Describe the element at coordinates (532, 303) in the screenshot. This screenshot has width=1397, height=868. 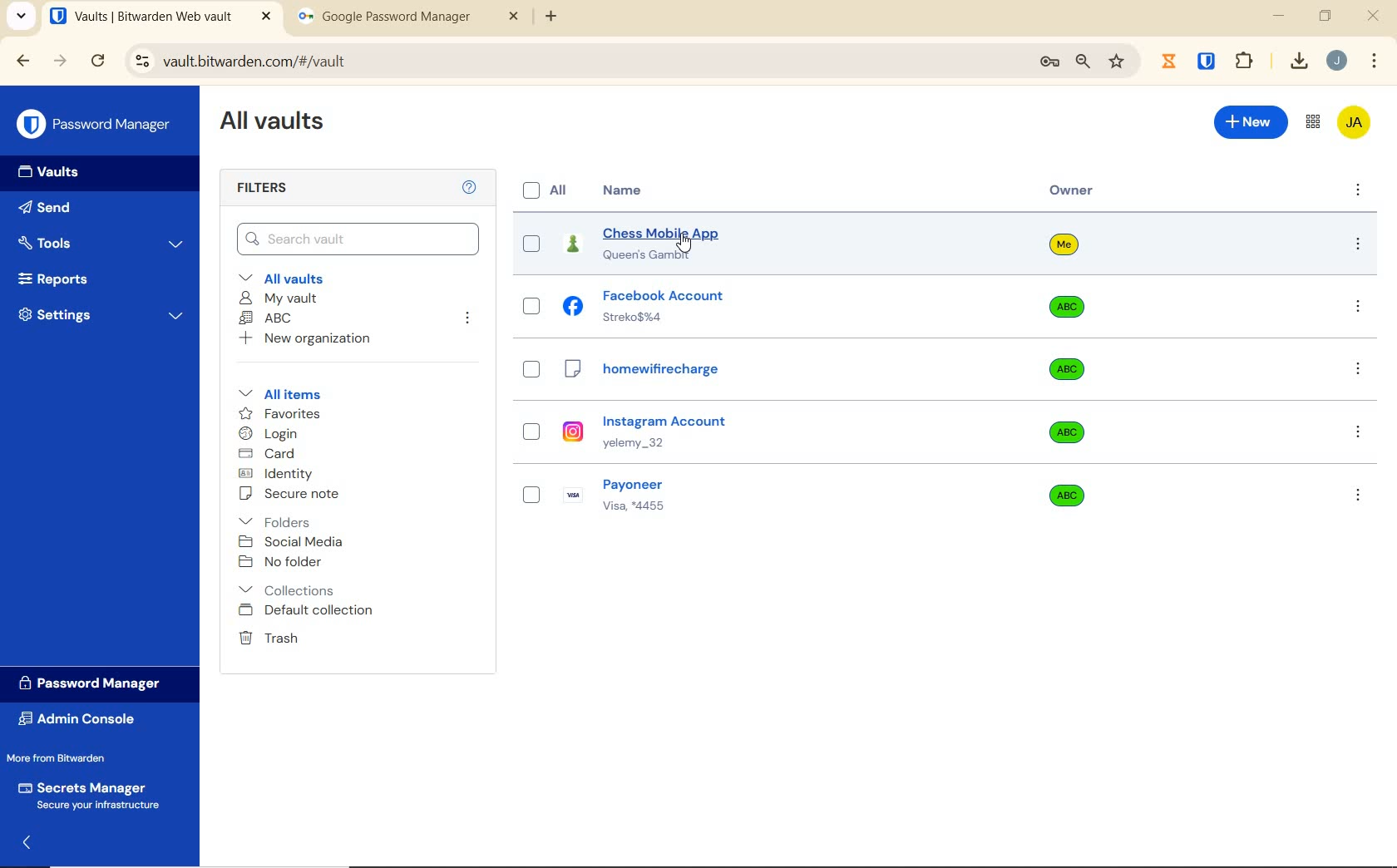
I see `check box` at that location.